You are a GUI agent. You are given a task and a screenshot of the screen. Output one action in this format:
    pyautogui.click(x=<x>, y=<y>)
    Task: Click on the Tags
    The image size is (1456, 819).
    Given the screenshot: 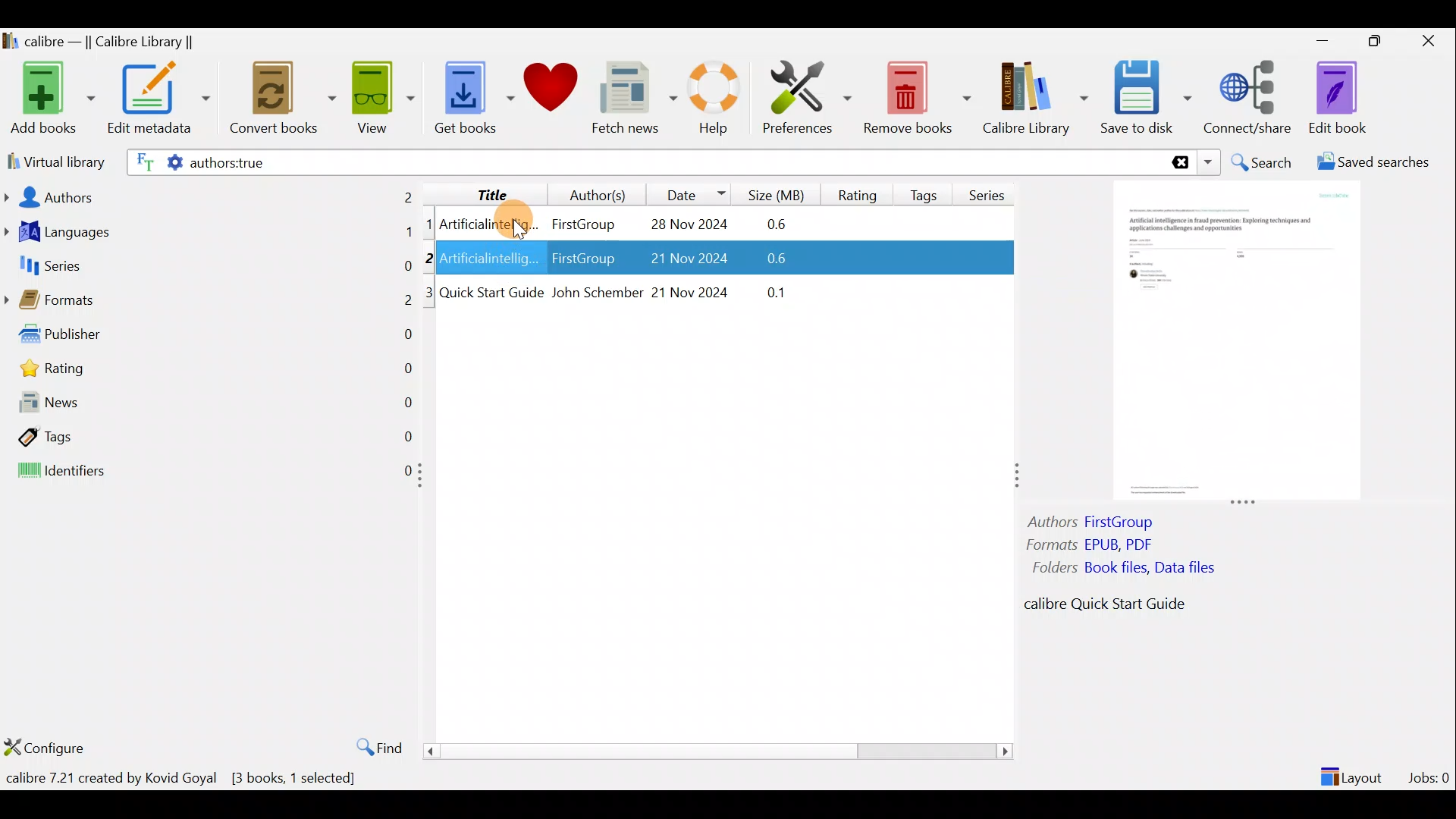 What is the action you would take?
    pyautogui.click(x=927, y=189)
    